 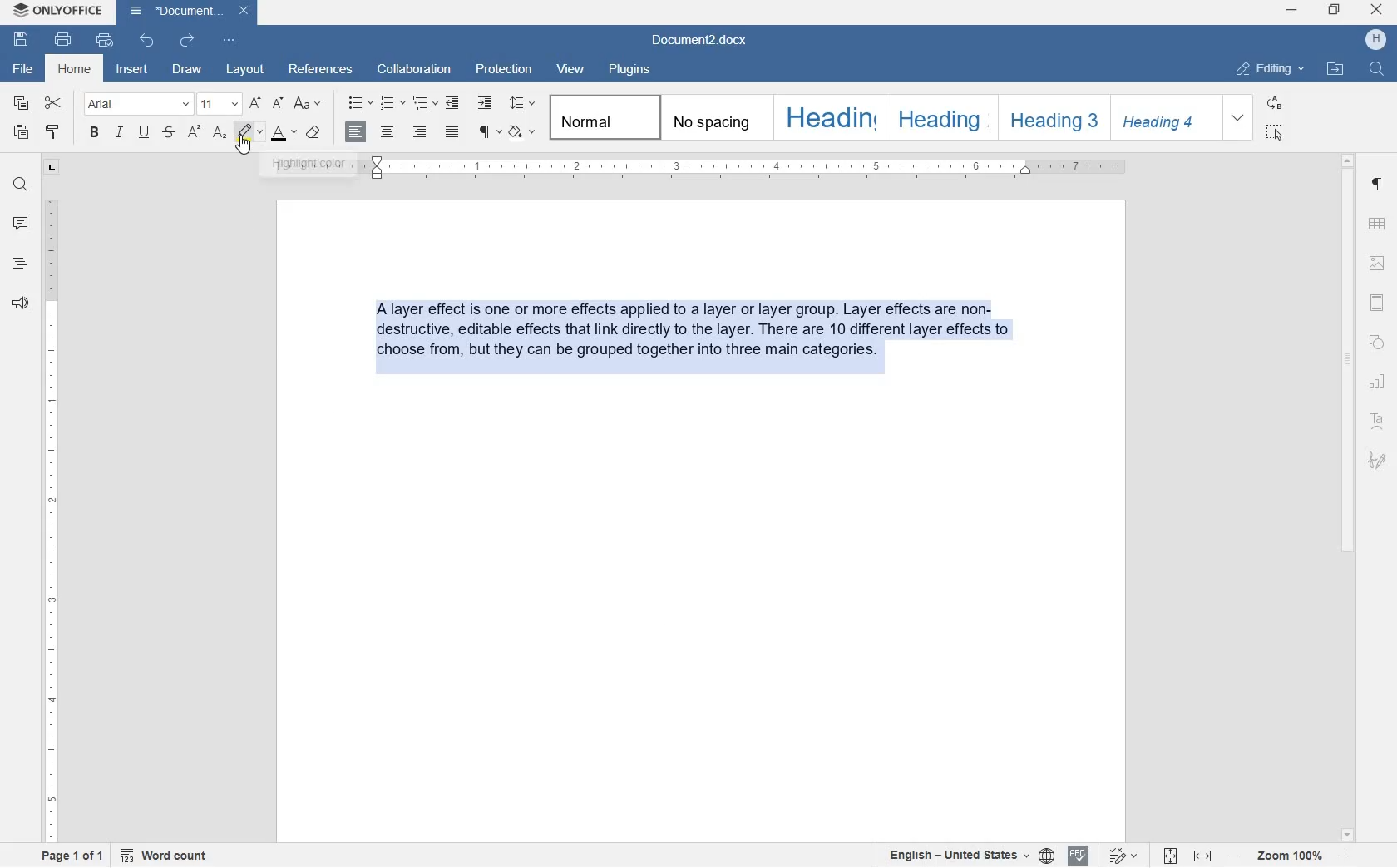 What do you see at coordinates (20, 223) in the screenshot?
I see `COMMENTS` at bounding box center [20, 223].